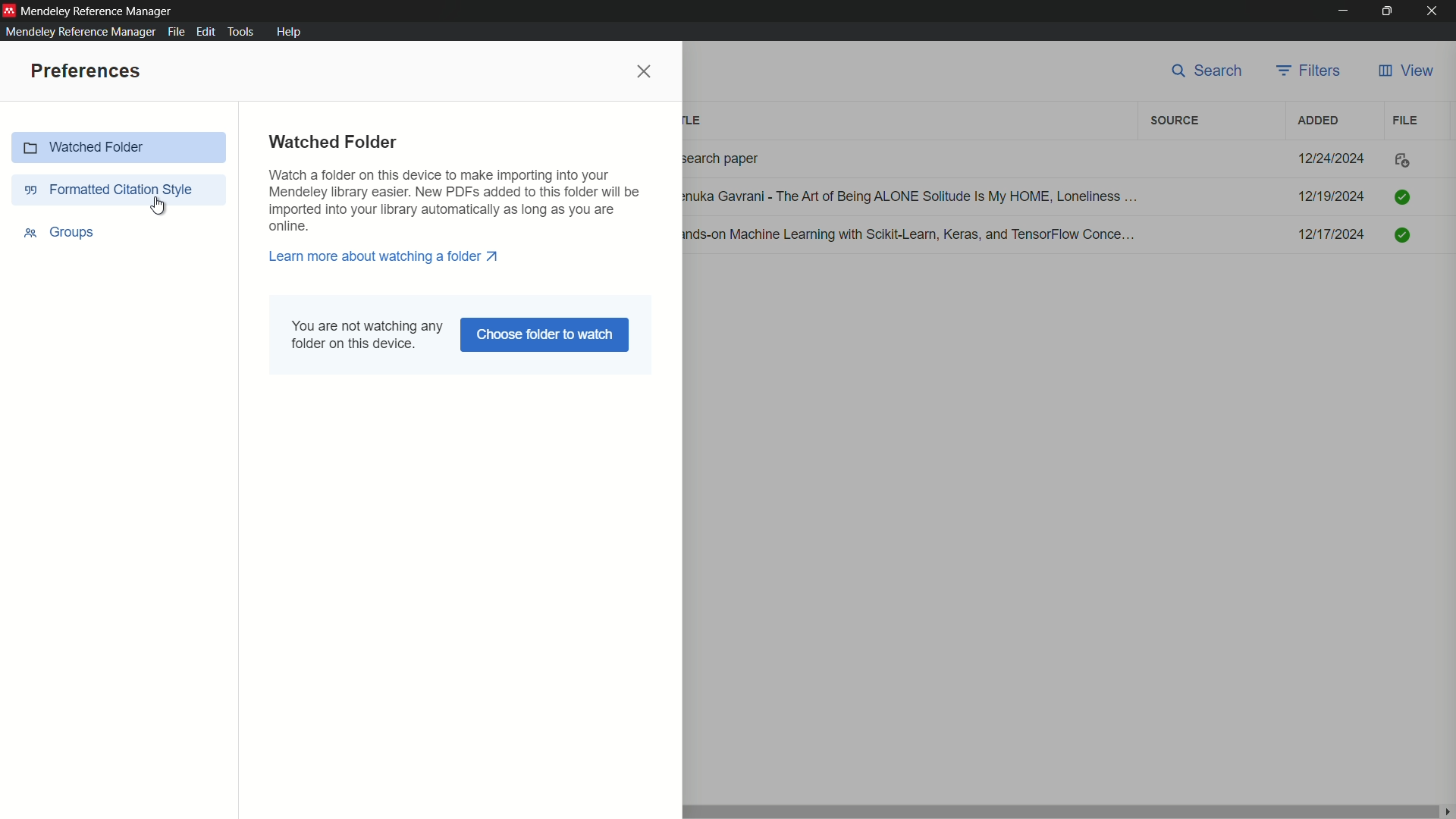 The height and width of the screenshot is (819, 1456). Describe the element at coordinates (1175, 121) in the screenshot. I see `source` at that location.